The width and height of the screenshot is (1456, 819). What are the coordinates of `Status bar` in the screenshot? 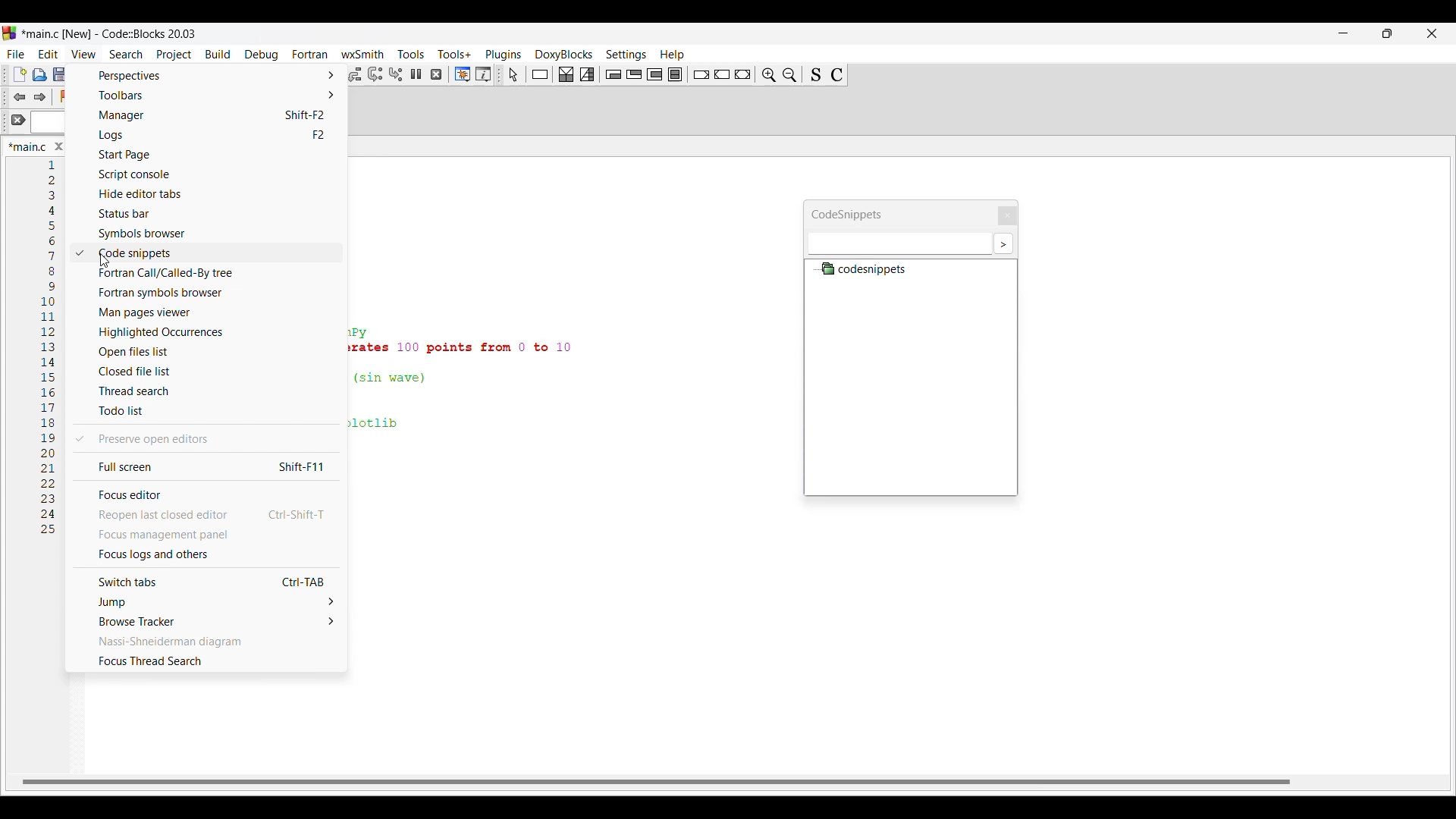 It's located at (216, 213).